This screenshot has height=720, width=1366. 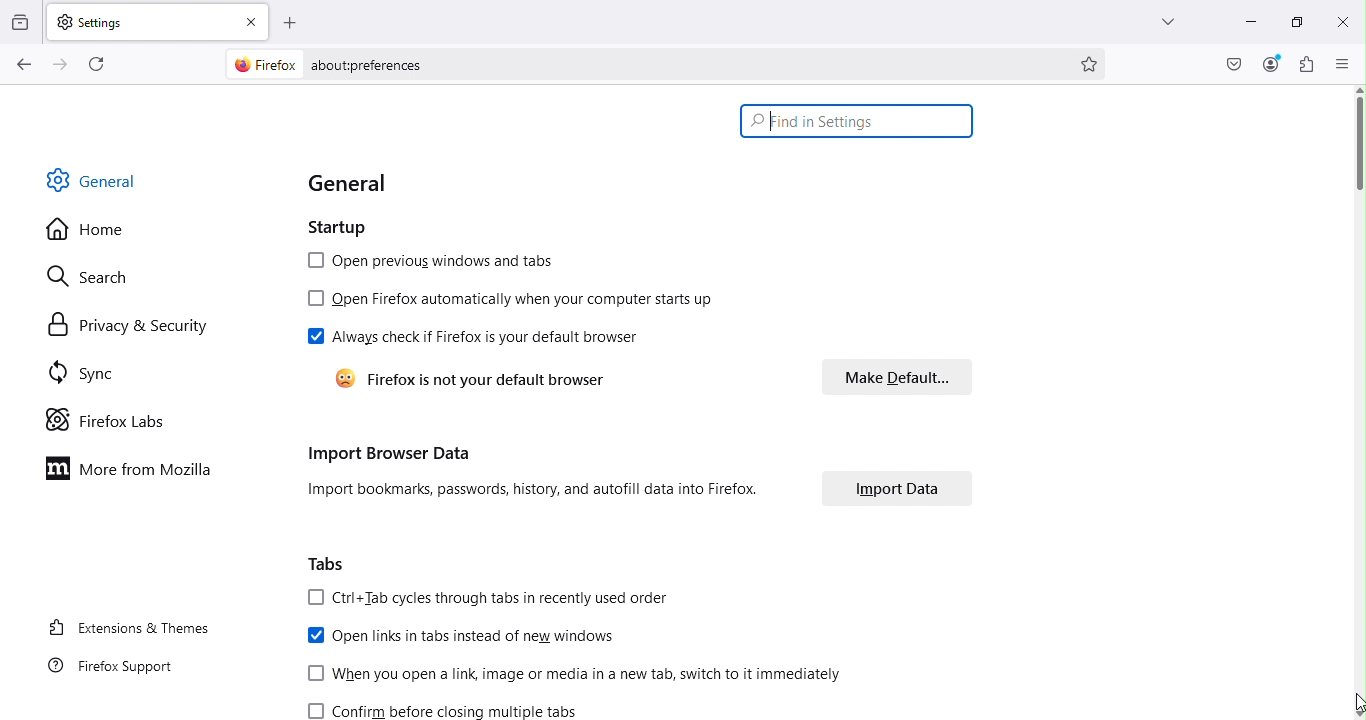 What do you see at coordinates (1354, 704) in the screenshot?
I see `cursor` at bounding box center [1354, 704].